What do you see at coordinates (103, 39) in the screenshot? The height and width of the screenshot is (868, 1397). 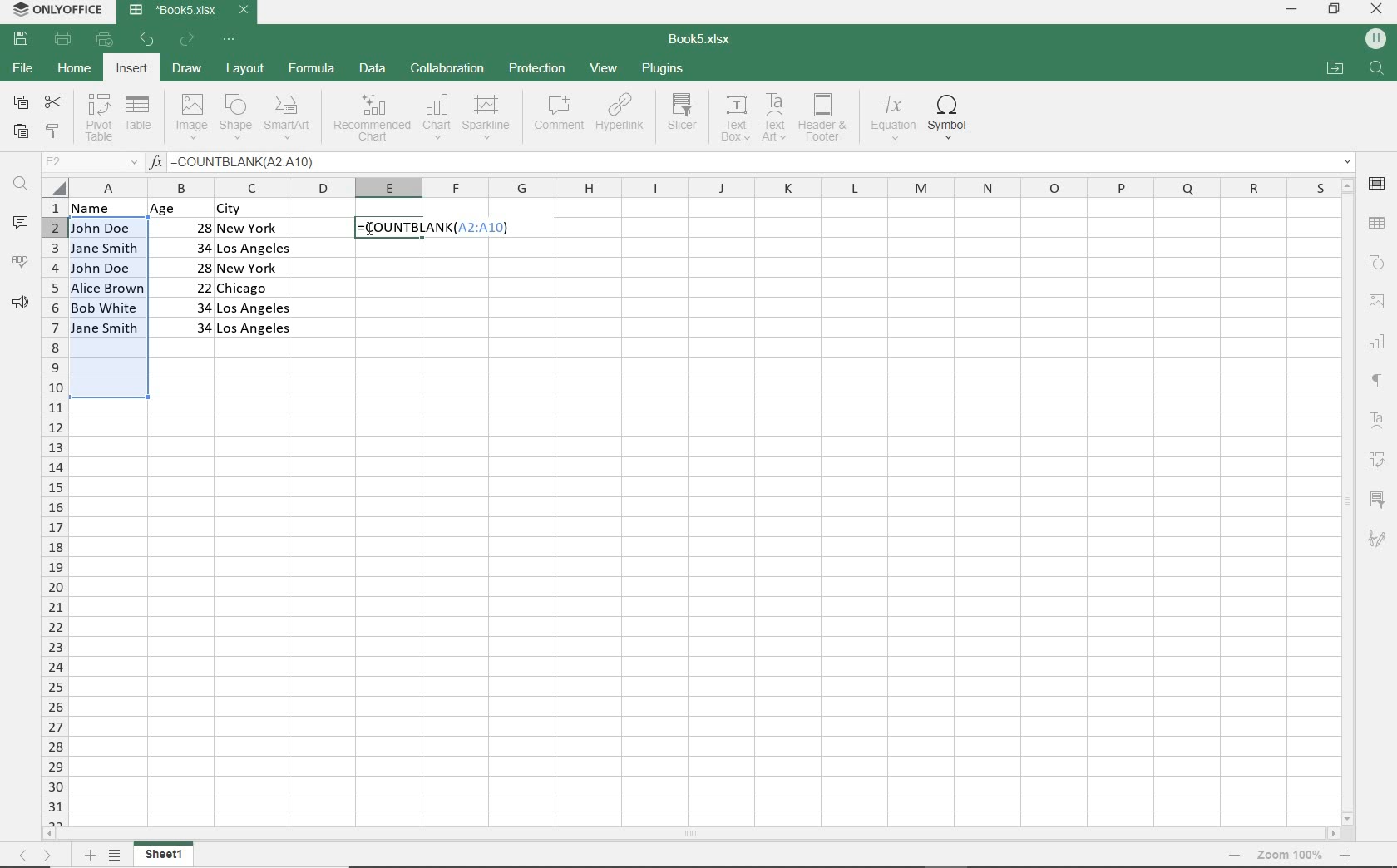 I see `QUICK PRINT` at bounding box center [103, 39].